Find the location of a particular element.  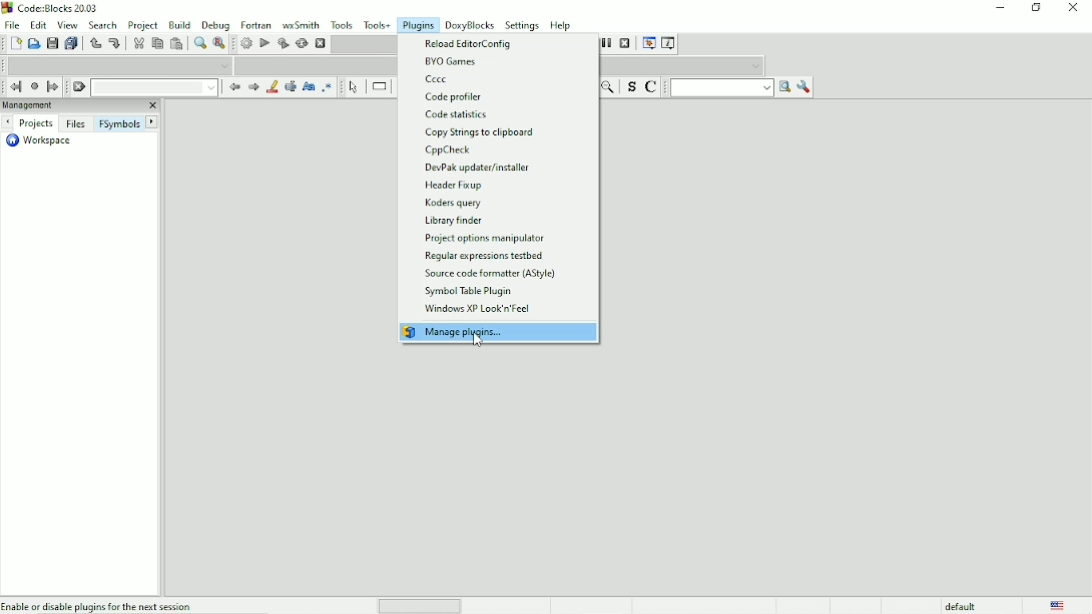

Fortran is located at coordinates (256, 25).